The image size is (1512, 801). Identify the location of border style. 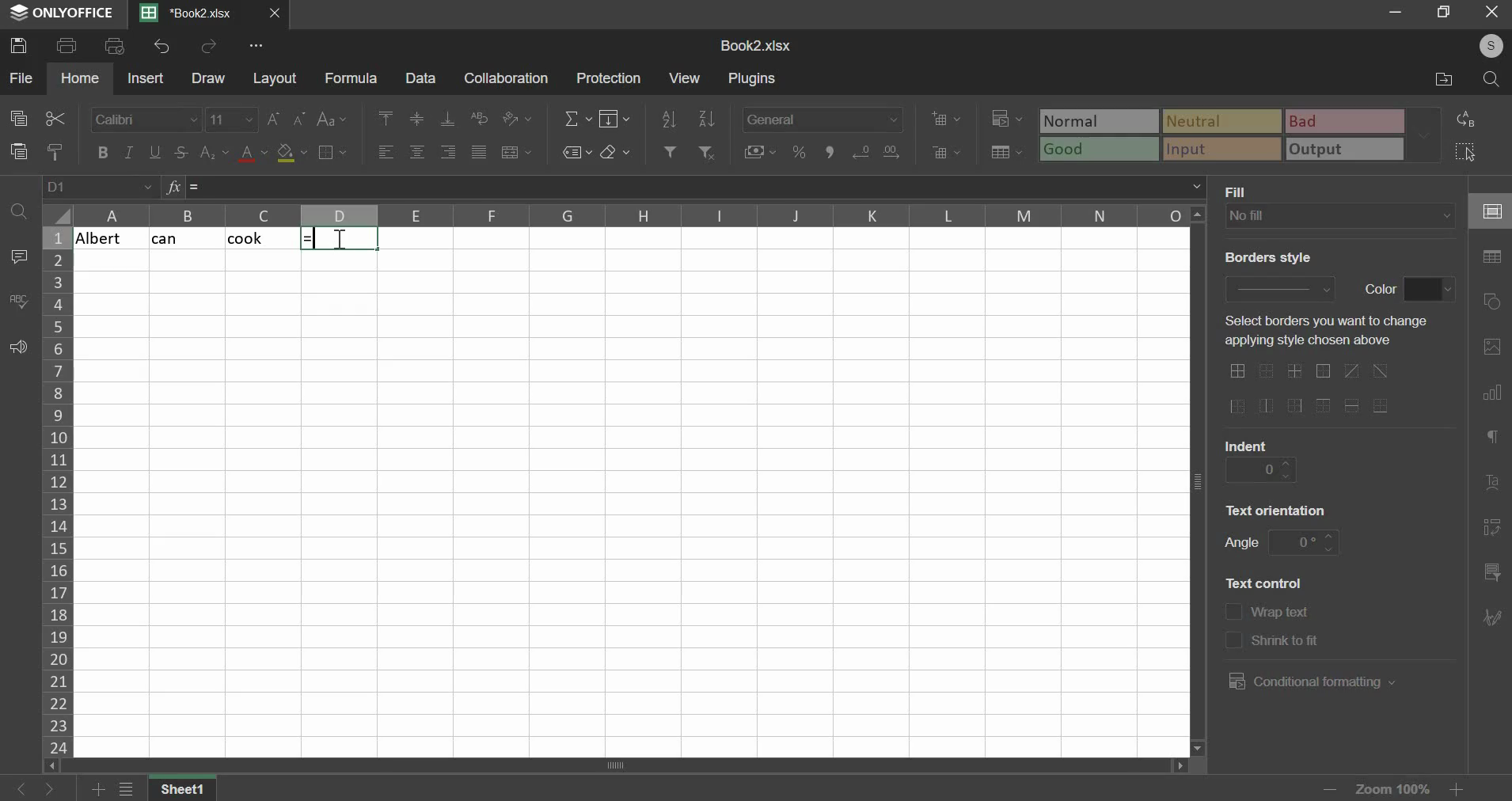
(1278, 287).